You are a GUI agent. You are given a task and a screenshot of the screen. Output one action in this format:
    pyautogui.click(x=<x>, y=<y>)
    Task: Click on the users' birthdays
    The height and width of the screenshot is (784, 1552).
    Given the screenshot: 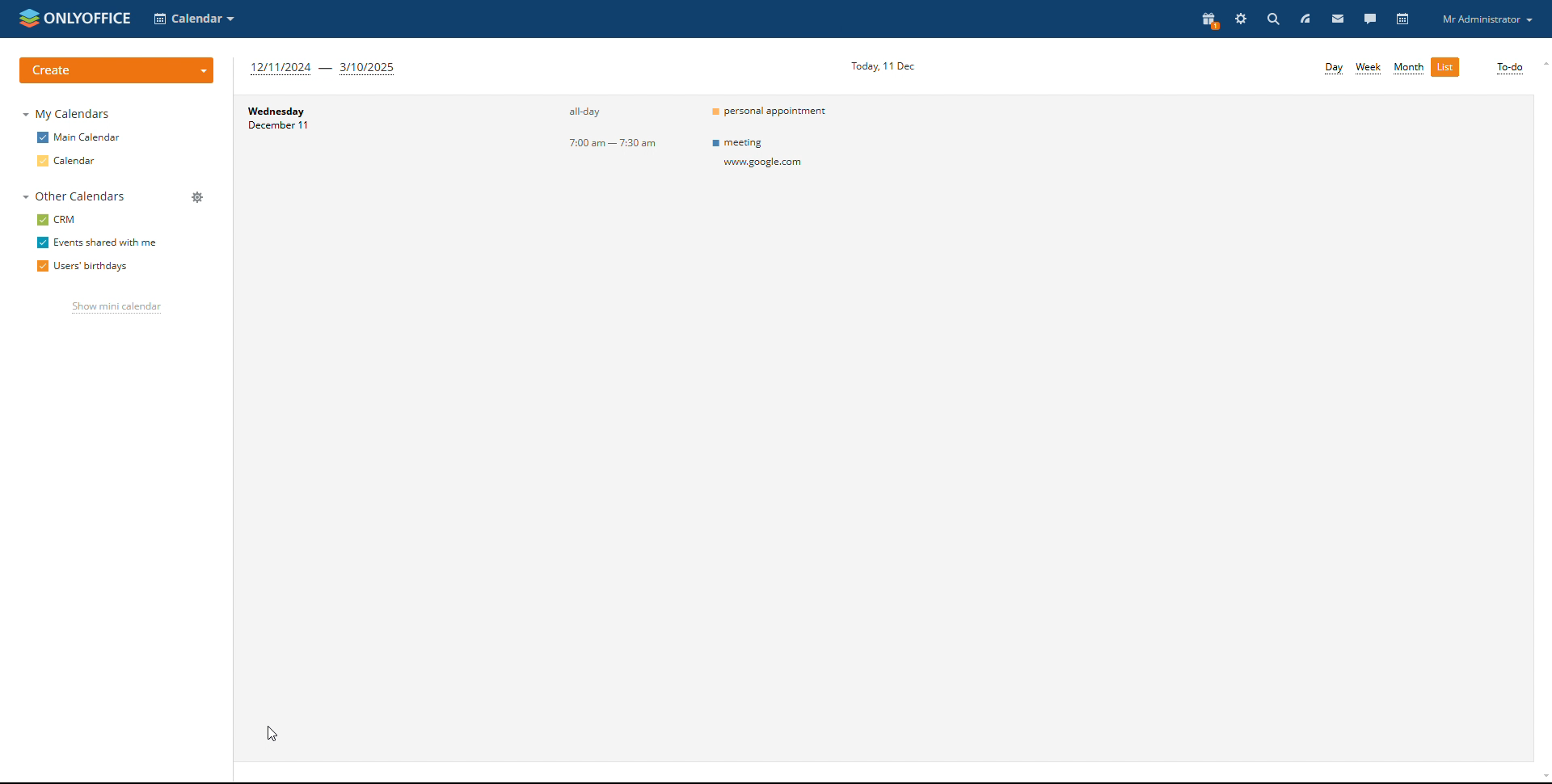 What is the action you would take?
    pyautogui.click(x=82, y=268)
    